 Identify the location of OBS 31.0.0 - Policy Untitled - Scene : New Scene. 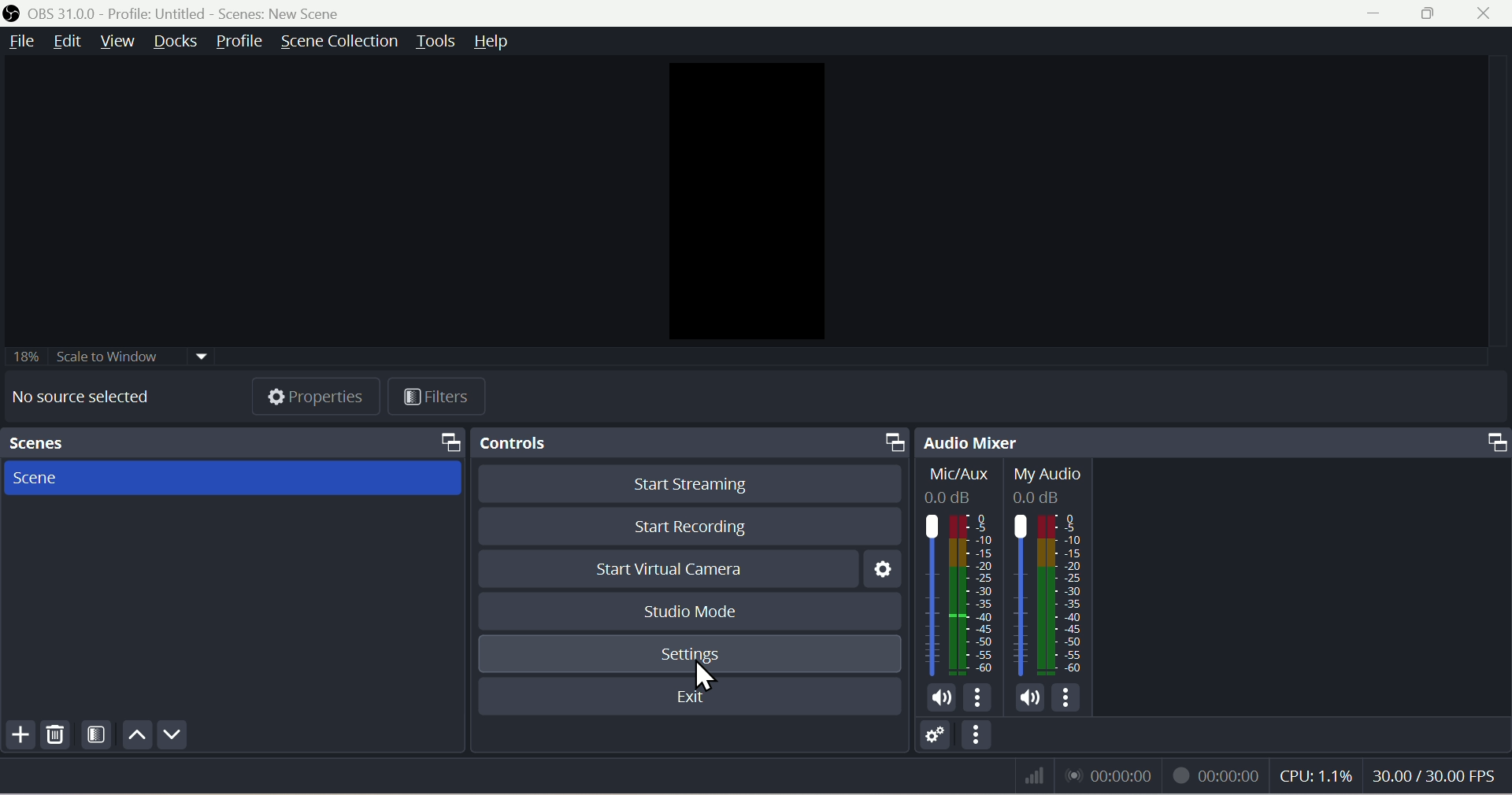
(183, 13).